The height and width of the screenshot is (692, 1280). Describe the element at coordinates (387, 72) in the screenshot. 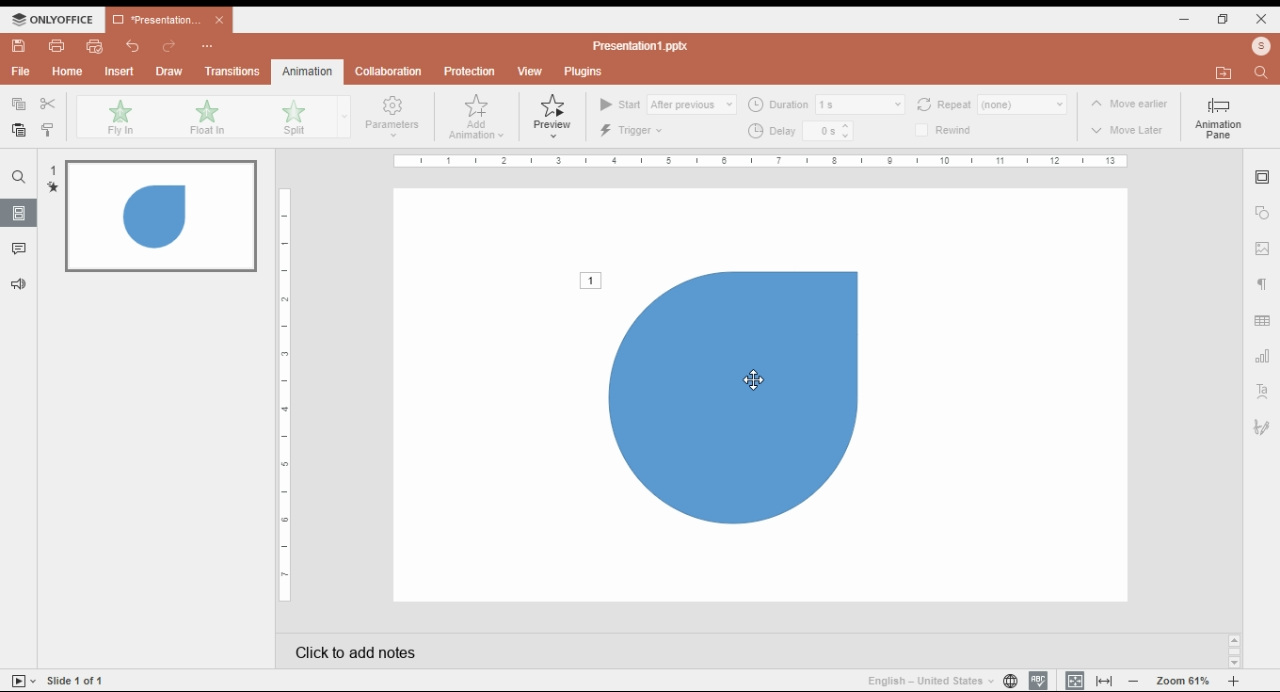

I see `collaboration` at that location.